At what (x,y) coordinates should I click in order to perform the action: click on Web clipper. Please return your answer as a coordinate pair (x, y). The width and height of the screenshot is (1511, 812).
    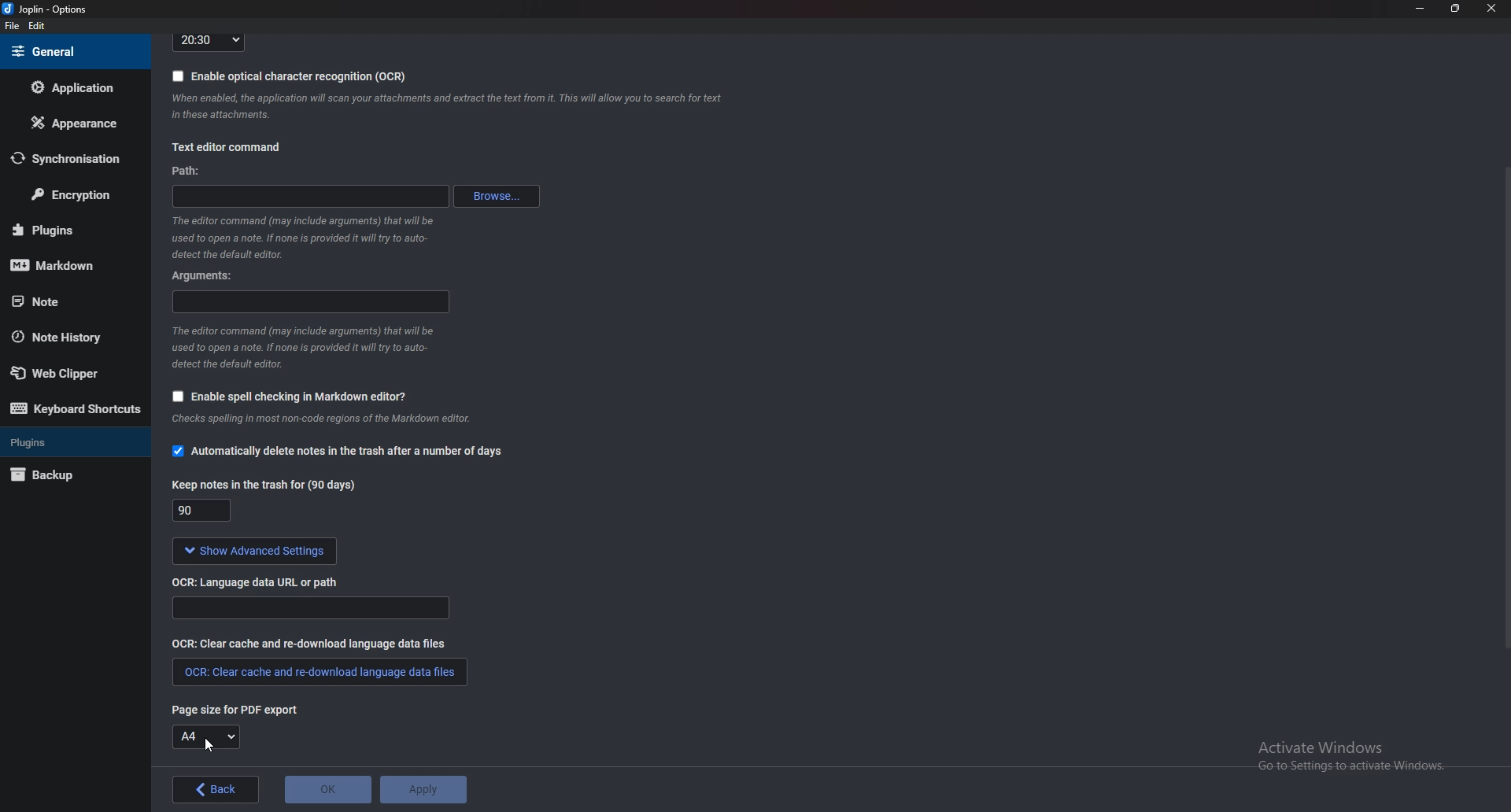
    Looking at the image, I should click on (70, 374).